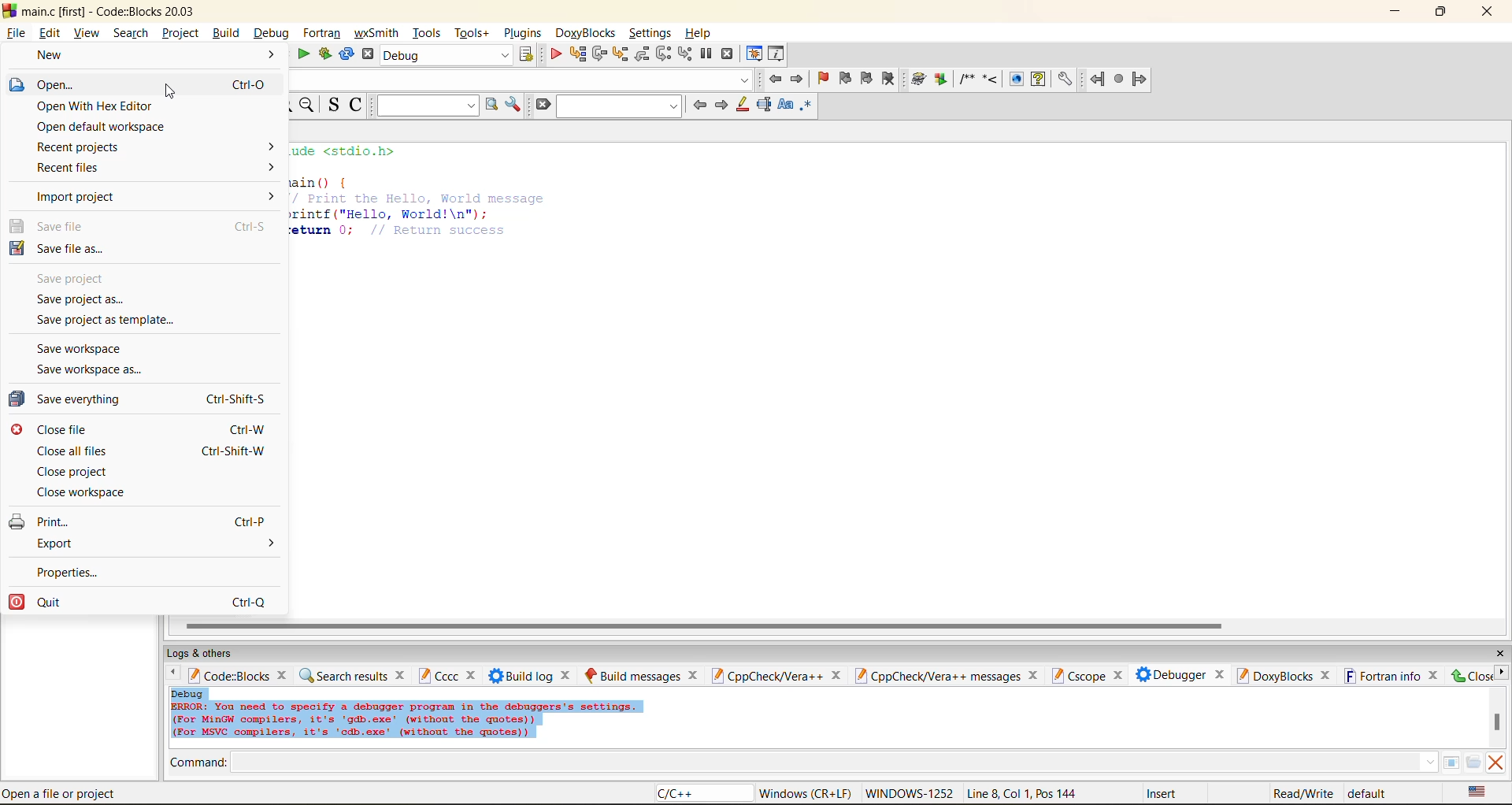 This screenshot has height=805, width=1512. Describe the element at coordinates (304, 54) in the screenshot. I see `run` at that location.